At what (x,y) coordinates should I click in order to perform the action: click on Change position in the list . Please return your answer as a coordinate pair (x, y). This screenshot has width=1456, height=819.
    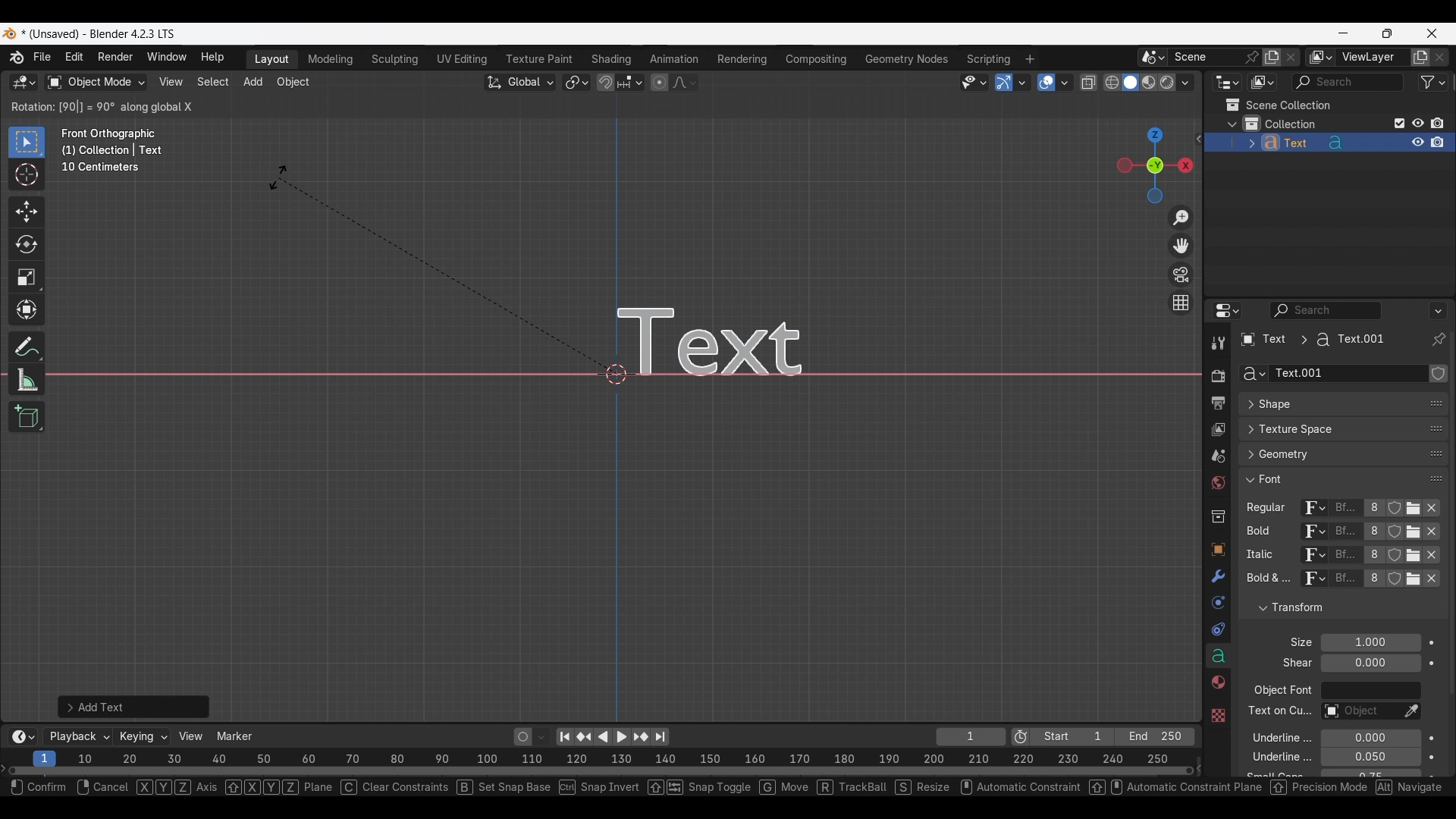
    Looking at the image, I should click on (1436, 475).